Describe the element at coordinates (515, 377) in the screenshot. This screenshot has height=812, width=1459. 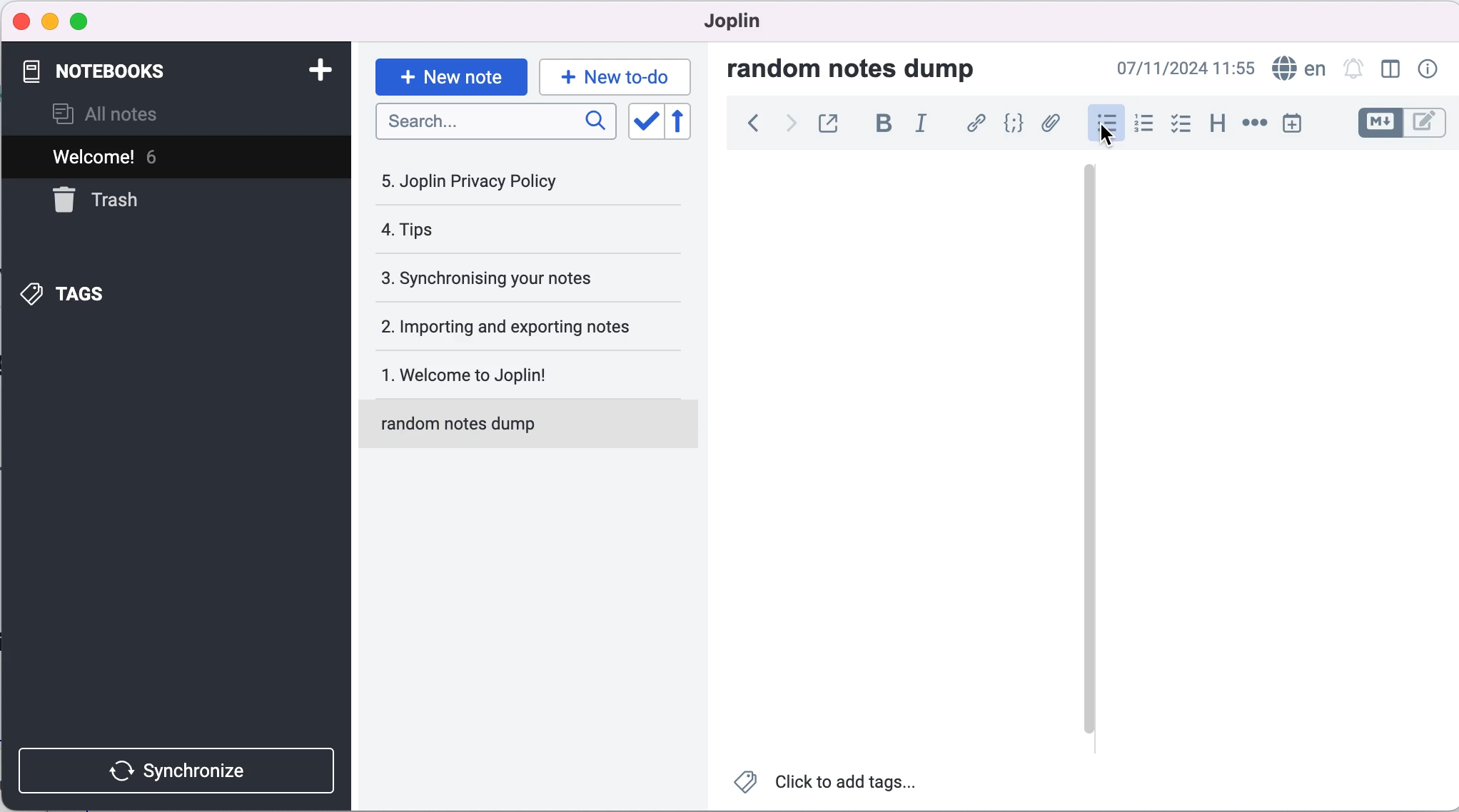
I see `welcome to joplin!` at that location.